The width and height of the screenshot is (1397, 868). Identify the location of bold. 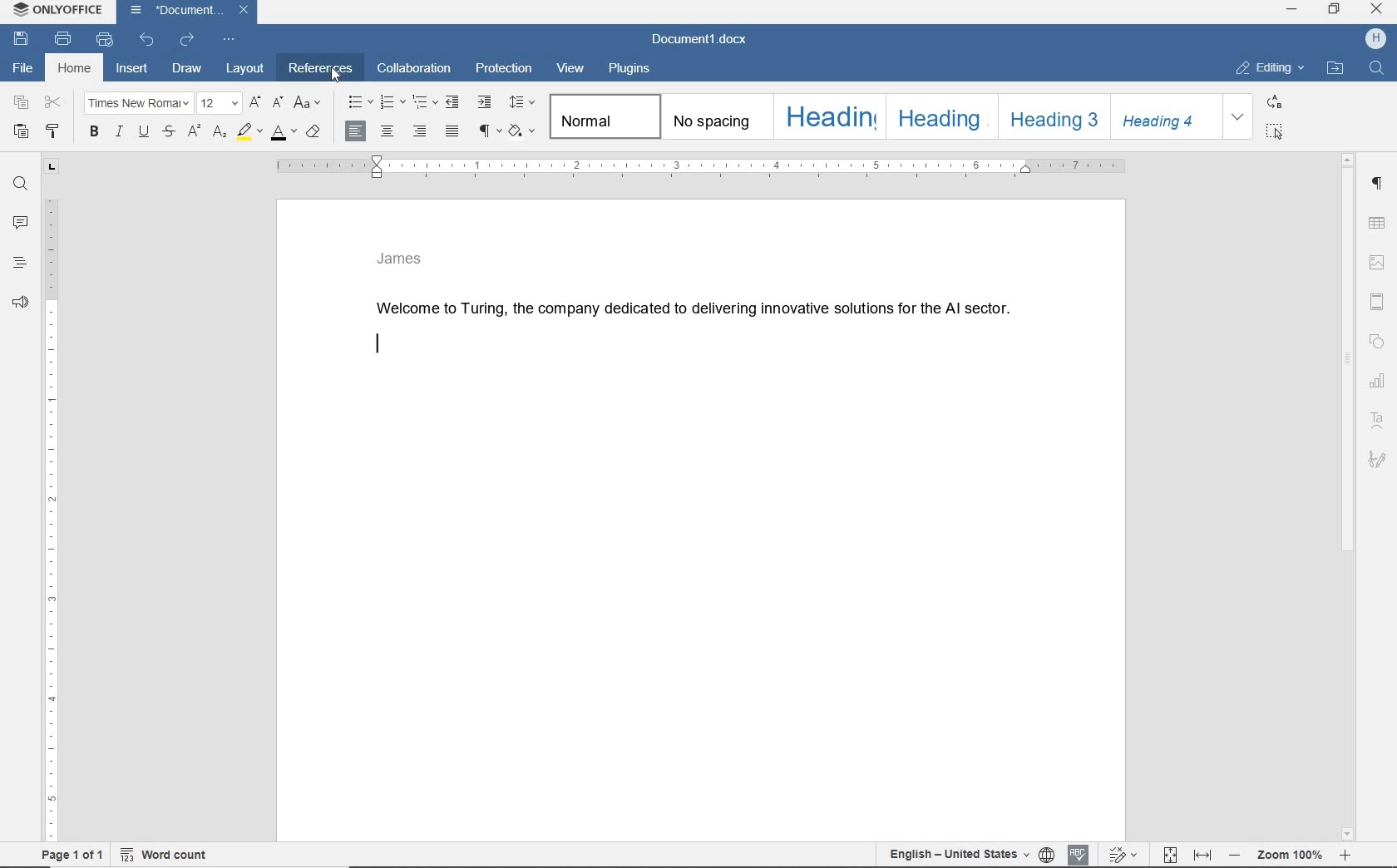
(95, 133).